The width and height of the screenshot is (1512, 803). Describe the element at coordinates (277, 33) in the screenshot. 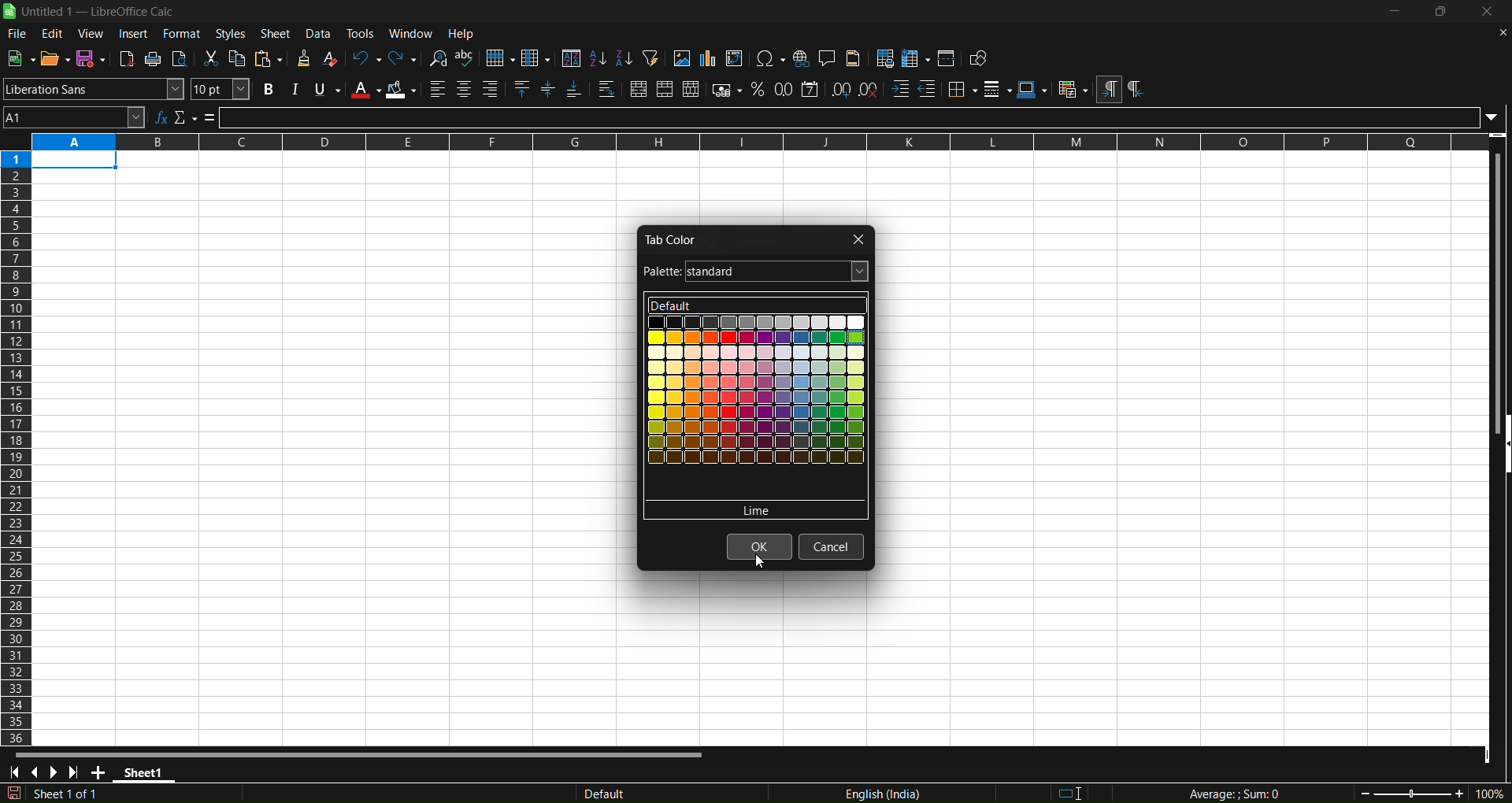

I see `sheet` at that location.